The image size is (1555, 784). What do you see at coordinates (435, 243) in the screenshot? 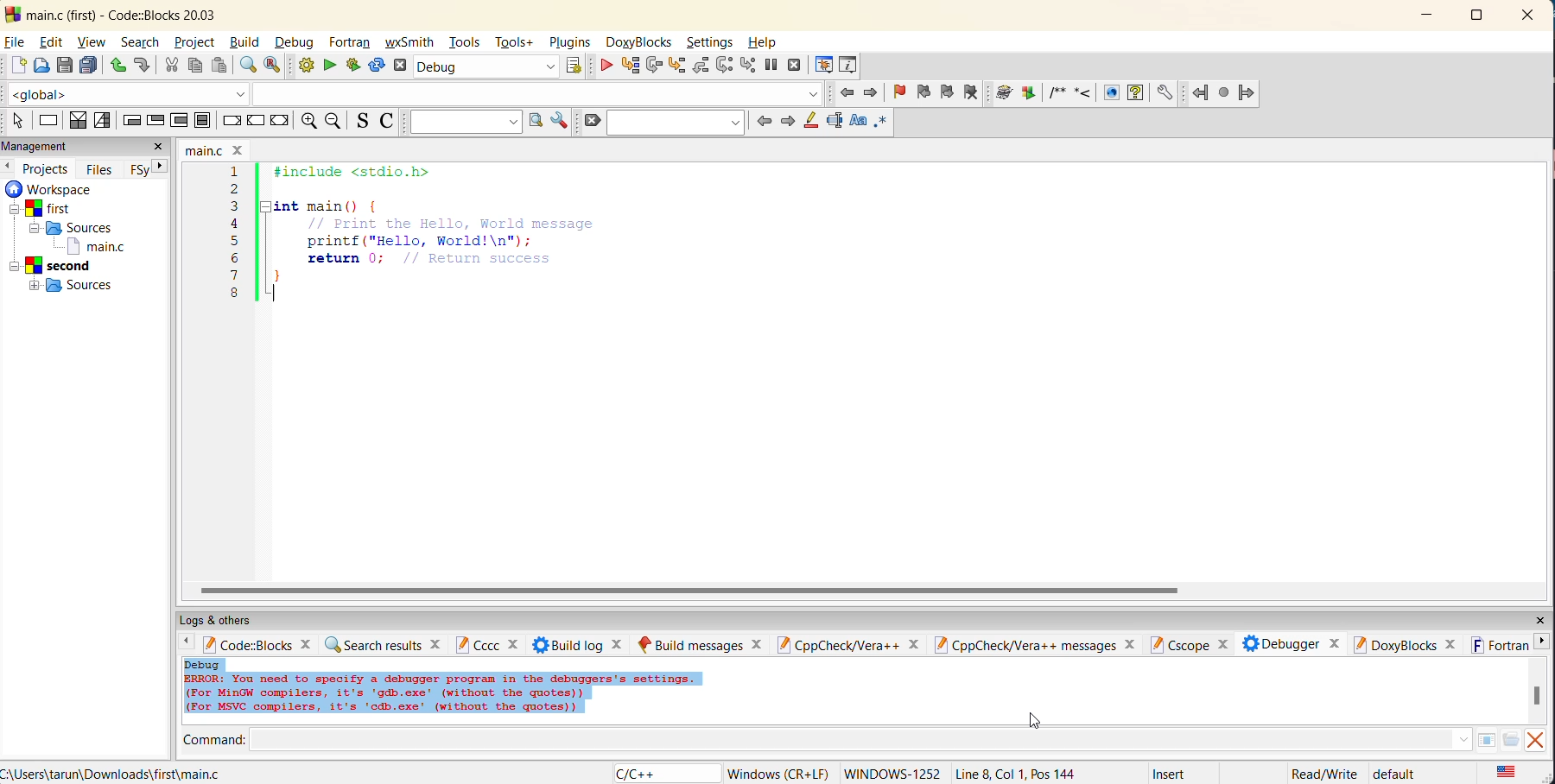
I see `1 #include <stdio.h>2 3 int main() { 4 // Print the Hello, World message 5 printf{"Hello, World!\n"}; 6 return 0; // Return success 7 8 ` at bounding box center [435, 243].